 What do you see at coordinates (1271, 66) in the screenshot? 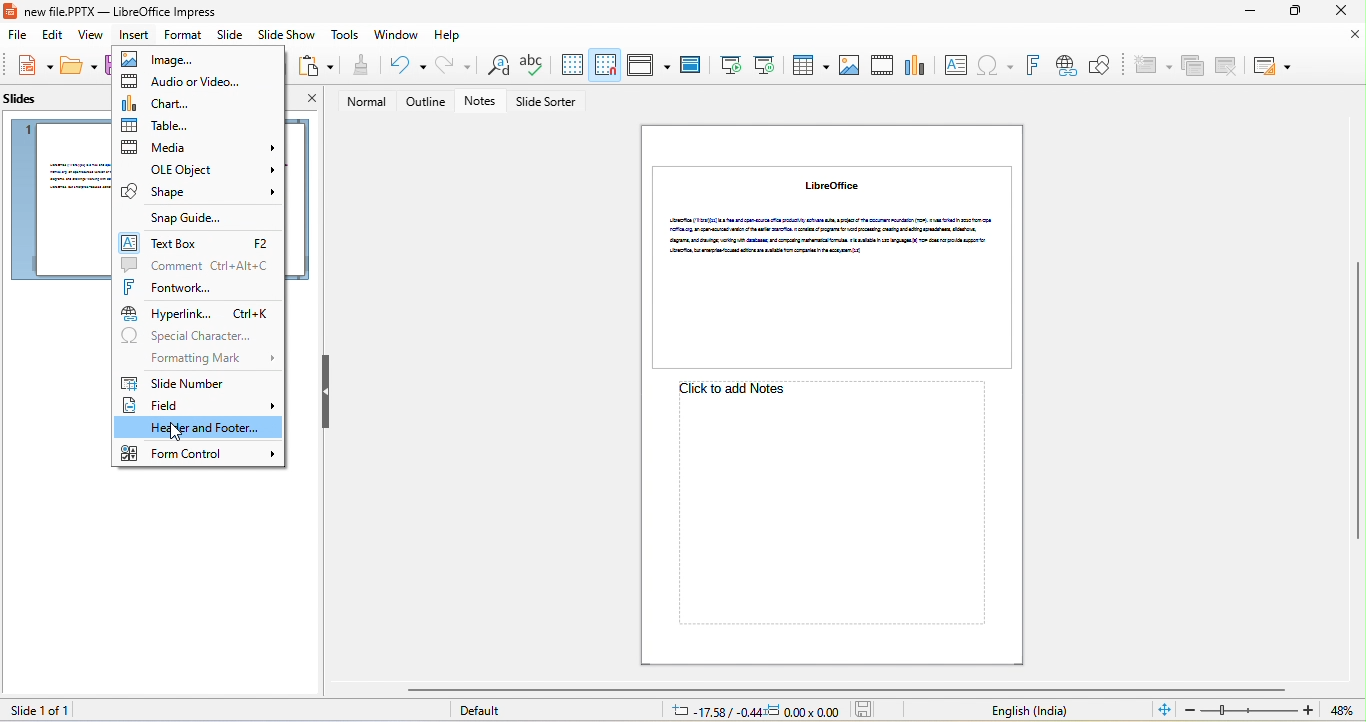
I see `slide layout` at bounding box center [1271, 66].